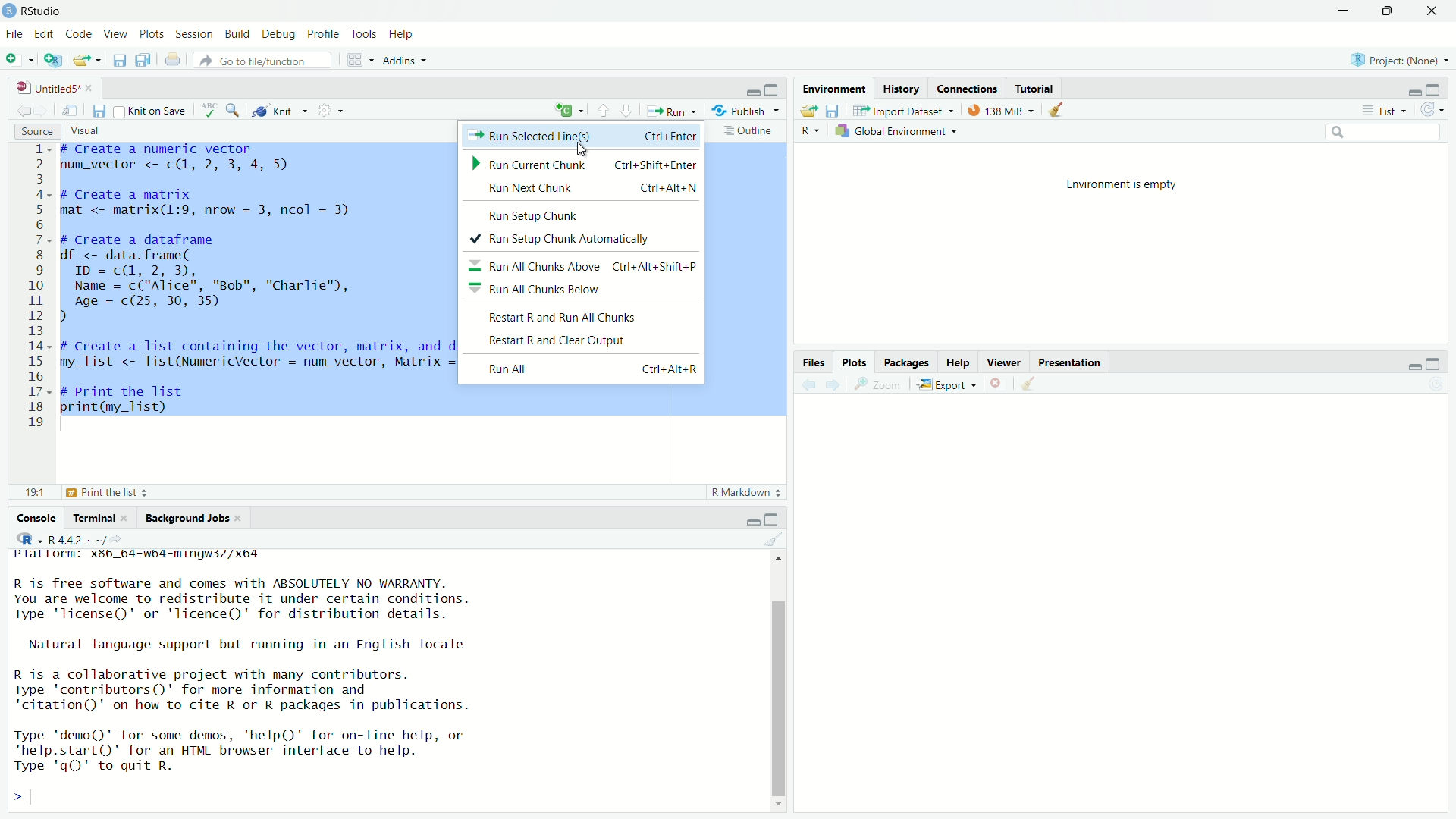 The image size is (1456, 819). I want to click on R Markdown +, so click(750, 494).